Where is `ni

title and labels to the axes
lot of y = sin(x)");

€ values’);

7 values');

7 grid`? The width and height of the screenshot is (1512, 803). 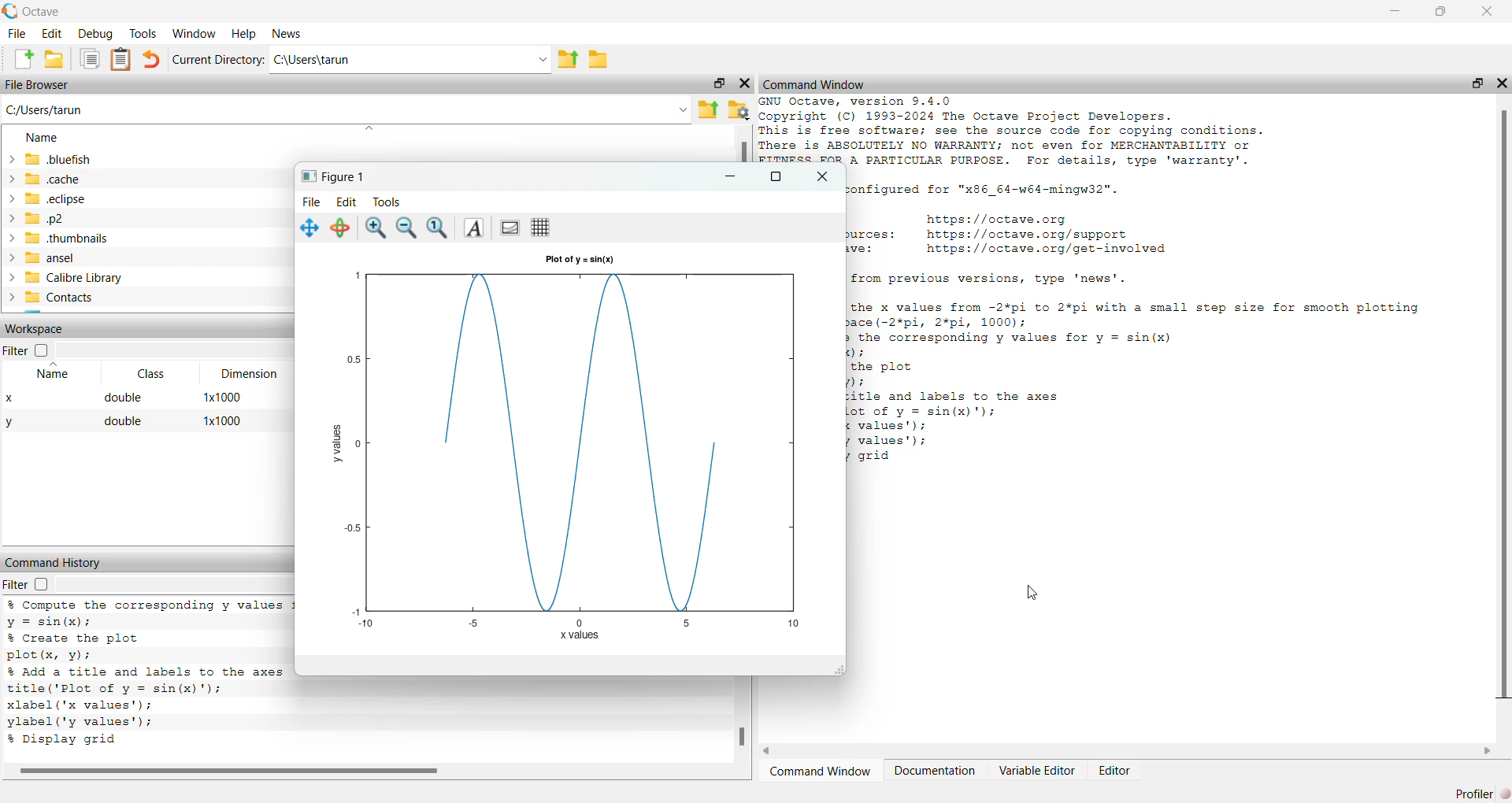
ni

title and labels to the axes
lot of y = sin(x)");

€ values’);

7 values');

7 grid is located at coordinates (961, 420).